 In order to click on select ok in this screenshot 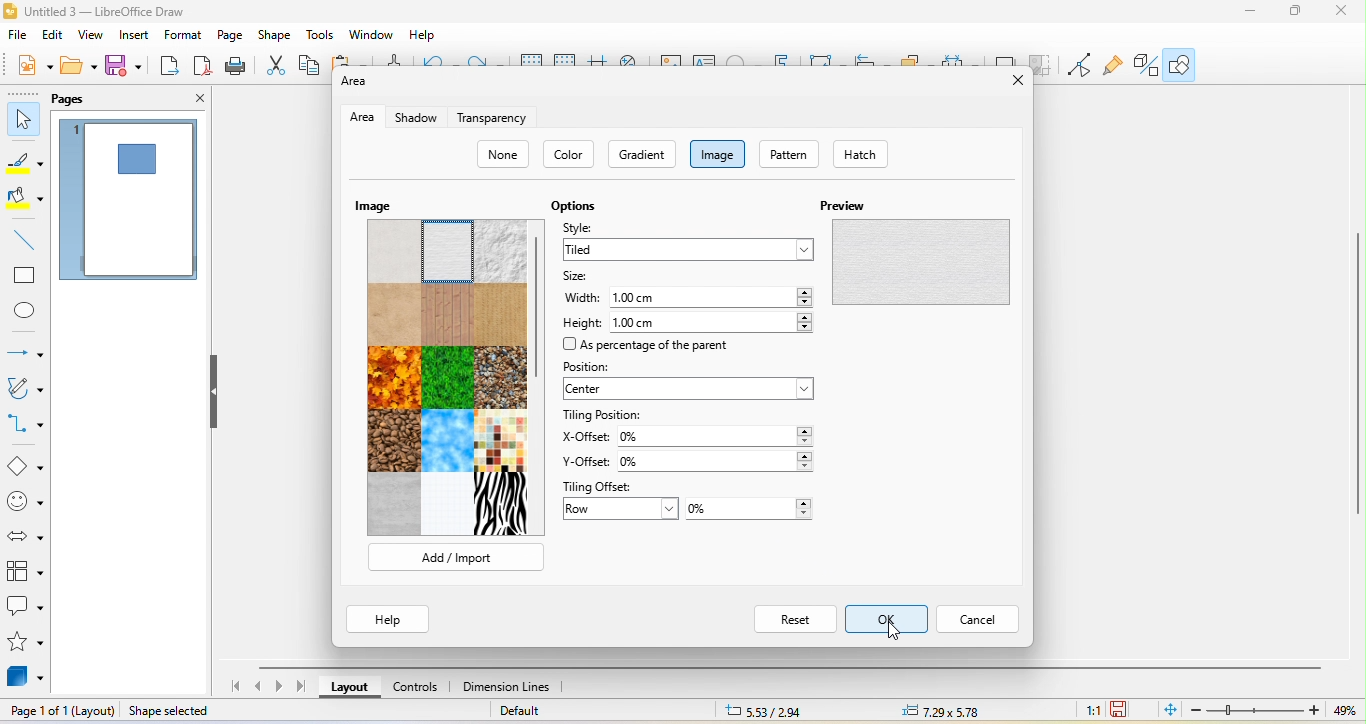, I will do `click(887, 618)`.